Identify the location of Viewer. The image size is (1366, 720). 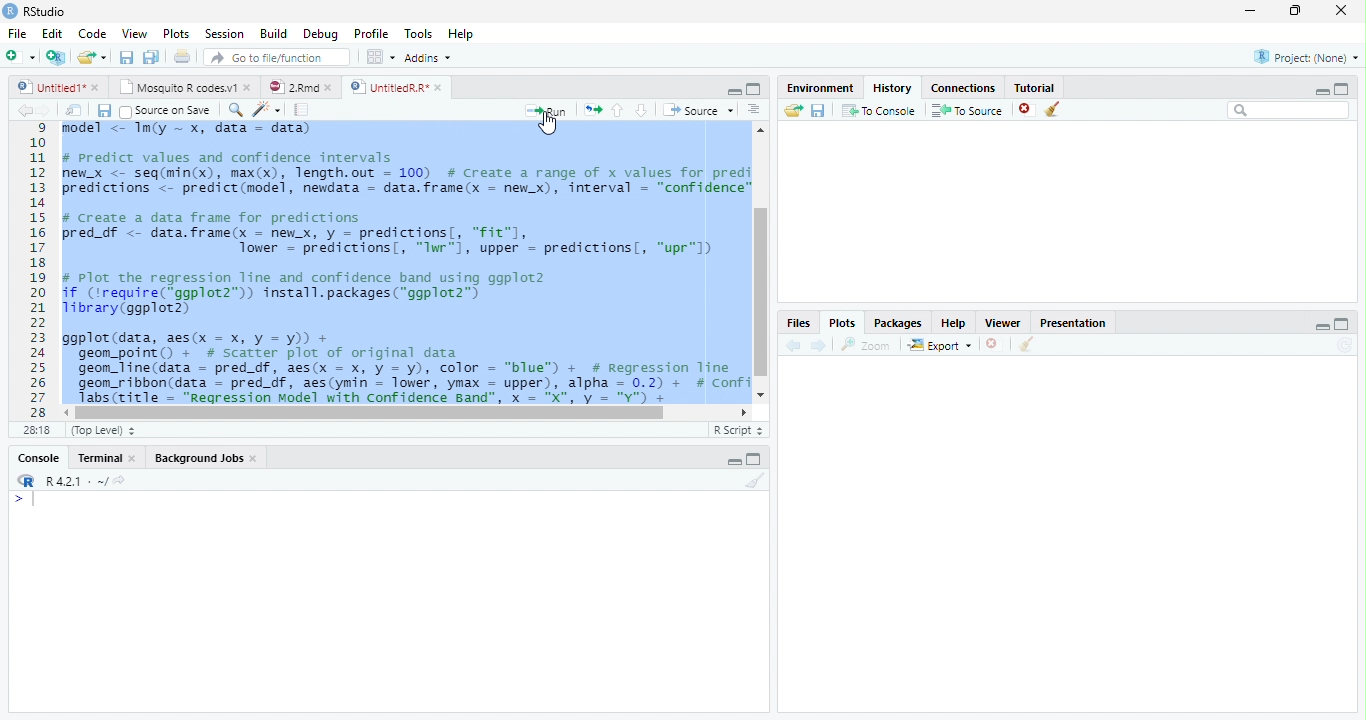
(1004, 325).